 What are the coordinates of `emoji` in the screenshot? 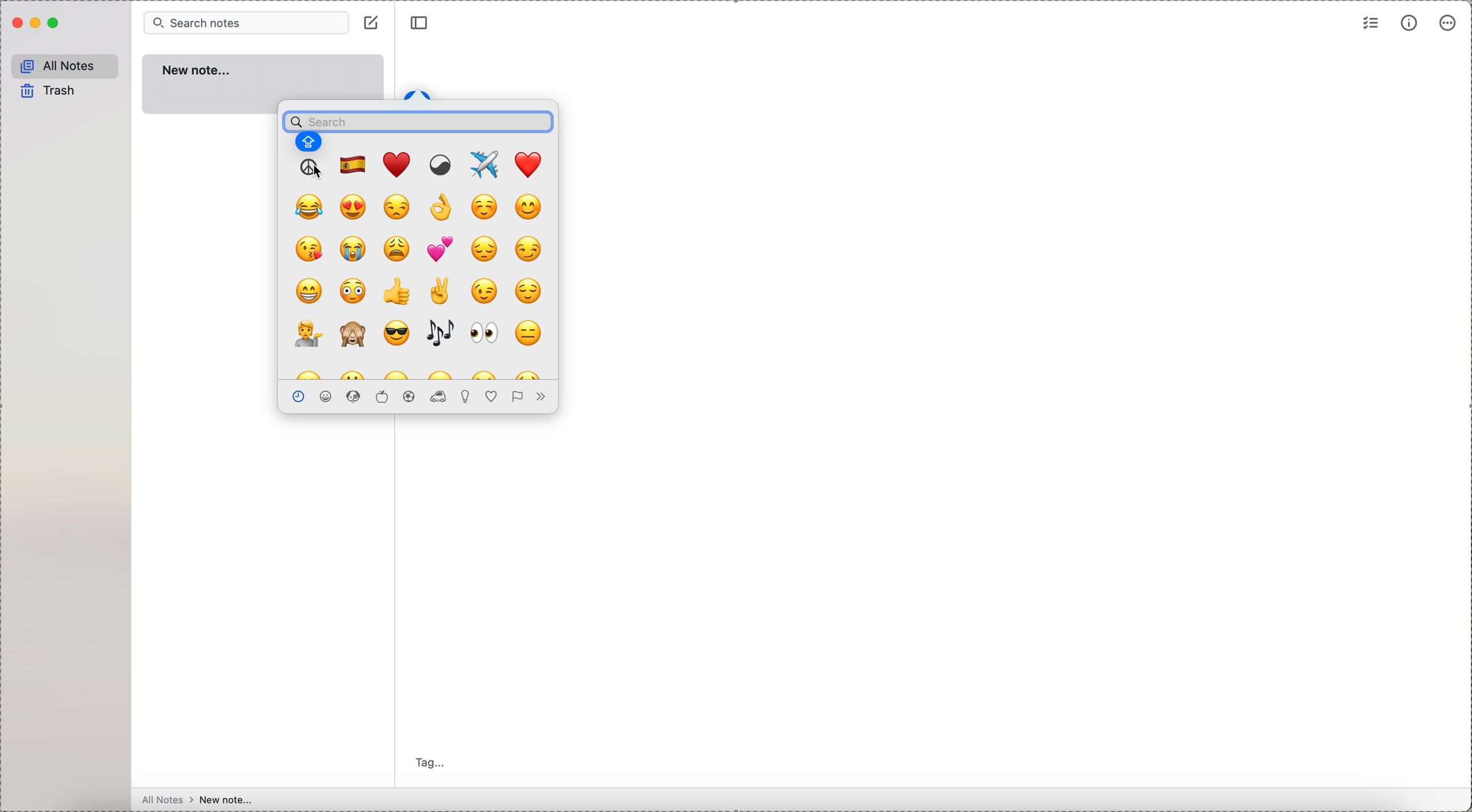 It's located at (398, 206).